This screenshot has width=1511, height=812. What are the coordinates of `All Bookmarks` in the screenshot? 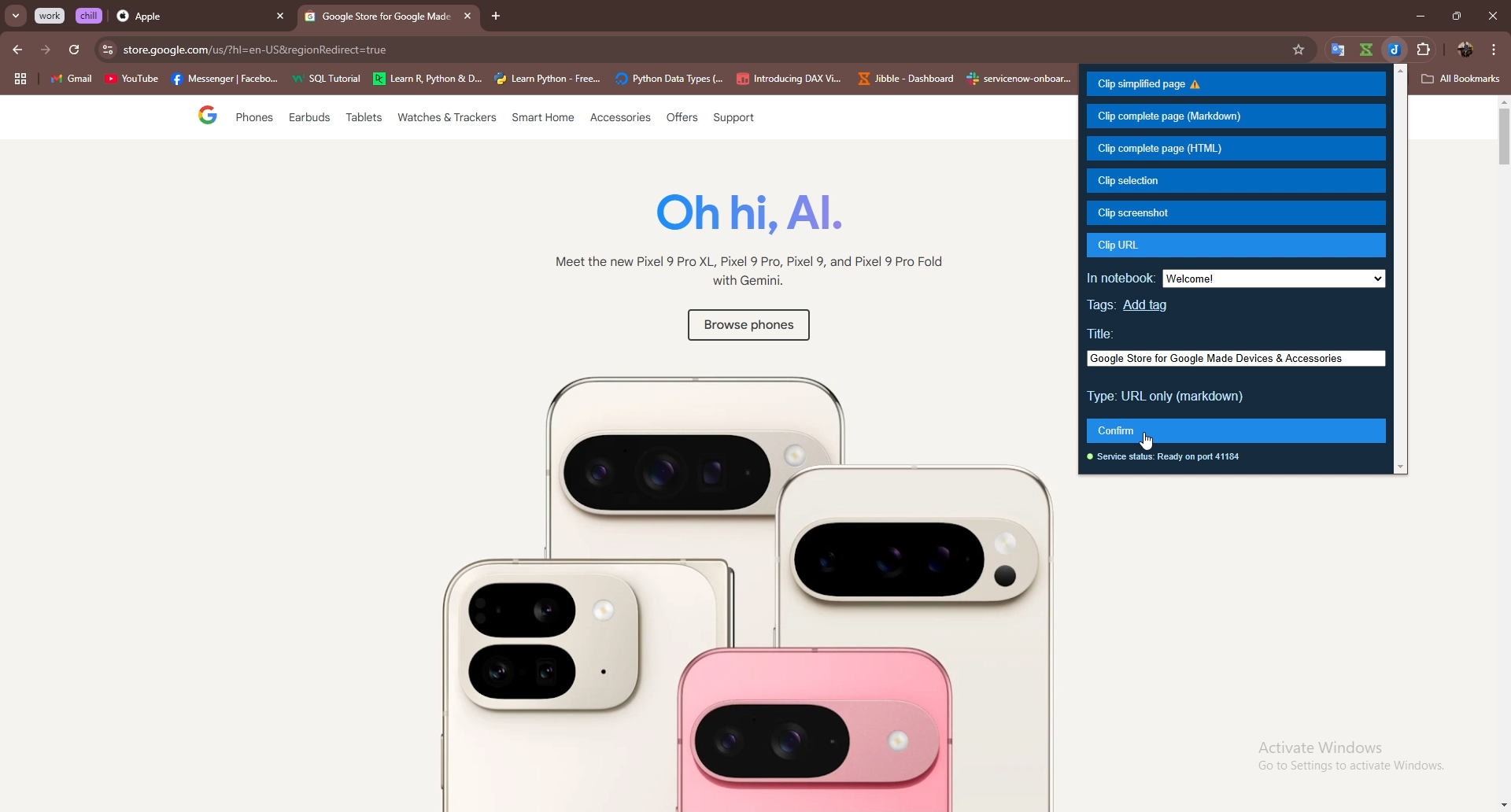 It's located at (1462, 79).